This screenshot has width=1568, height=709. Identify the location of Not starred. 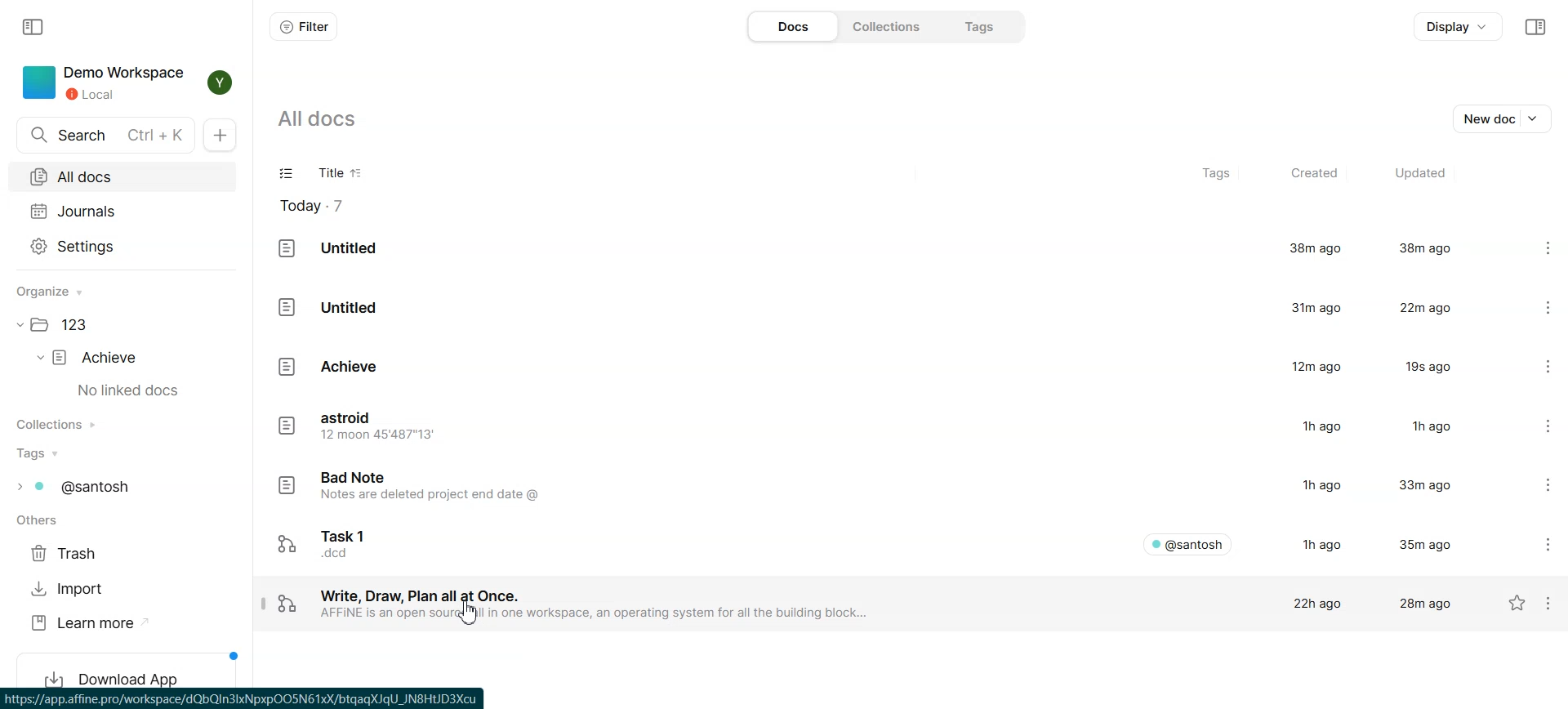
(1517, 604).